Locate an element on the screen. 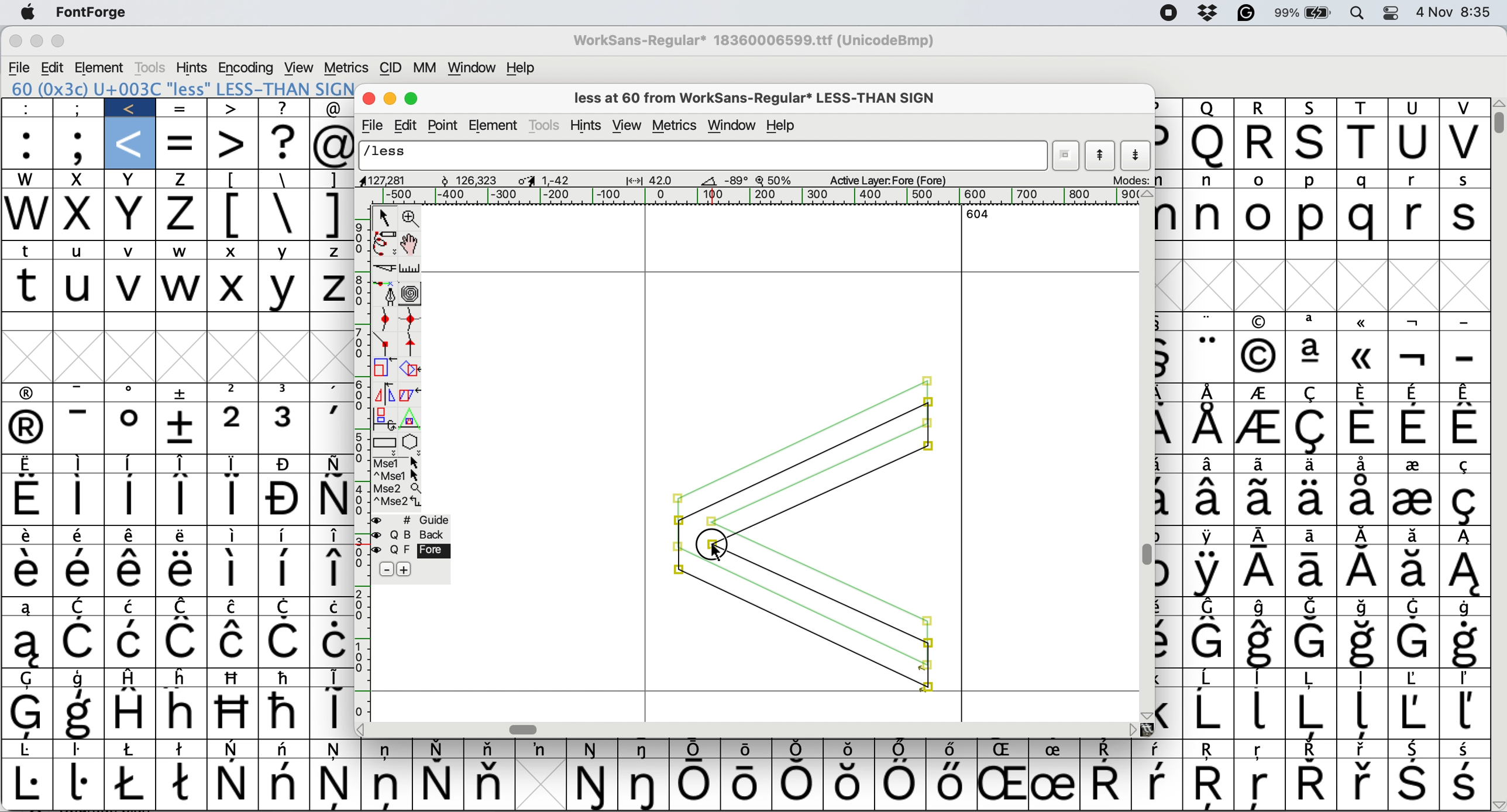 The height and width of the screenshot is (812, 1507). add a curve point is located at coordinates (383, 318).